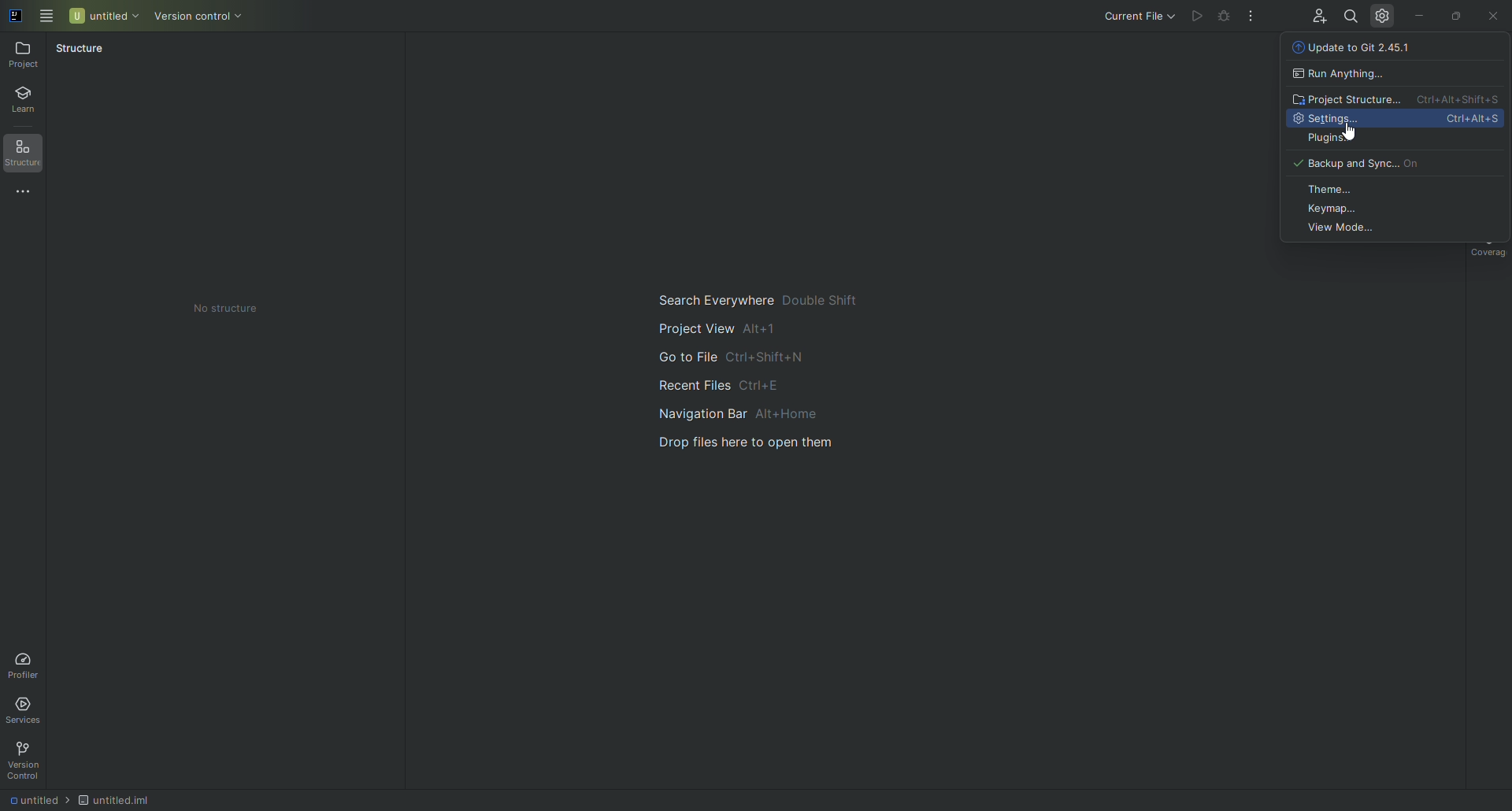 The image size is (1512, 811). Describe the element at coordinates (1226, 13) in the screenshot. I see `Cannot run file` at that location.